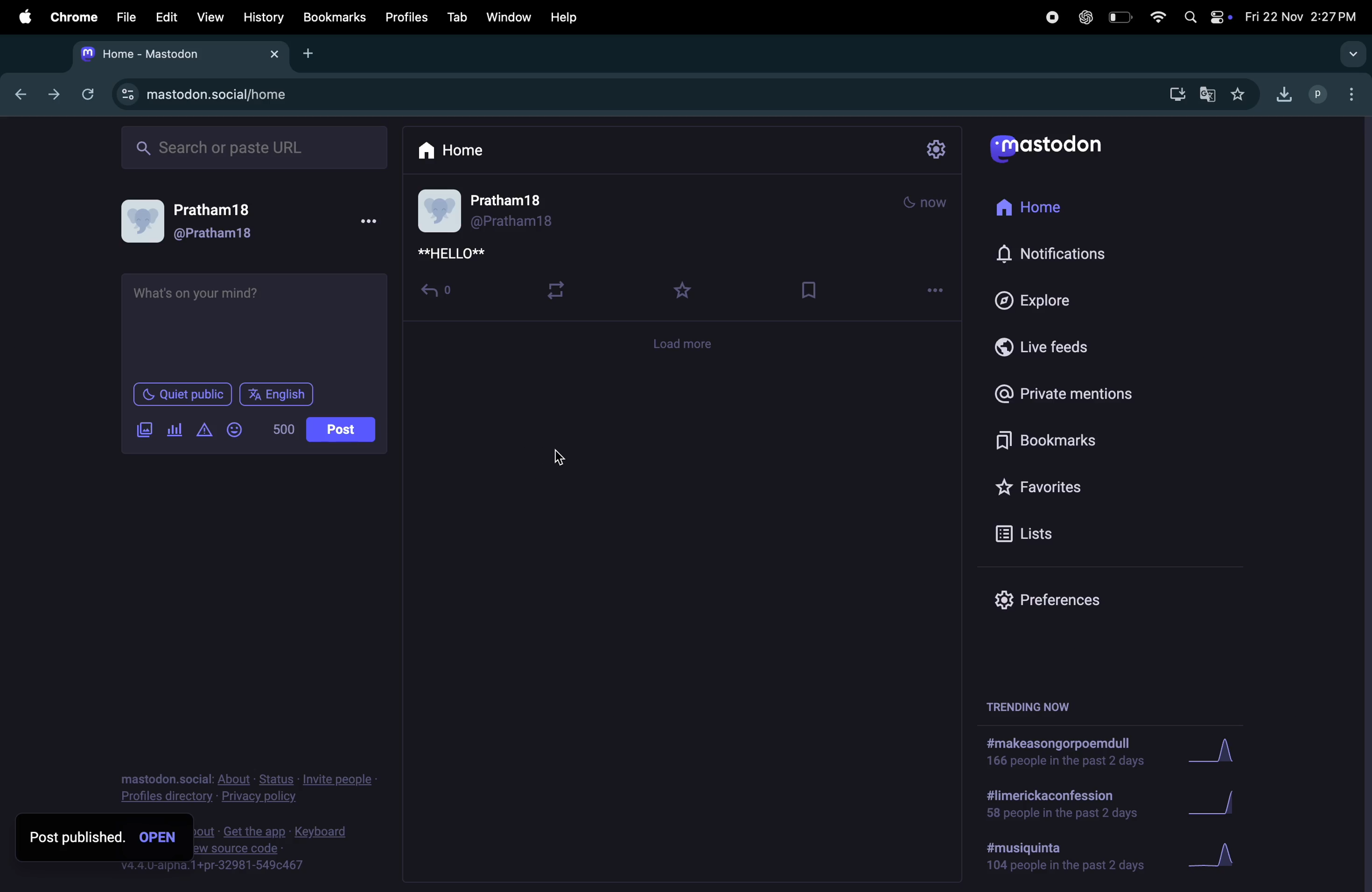  I want to click on post published open, so click(99, 839).